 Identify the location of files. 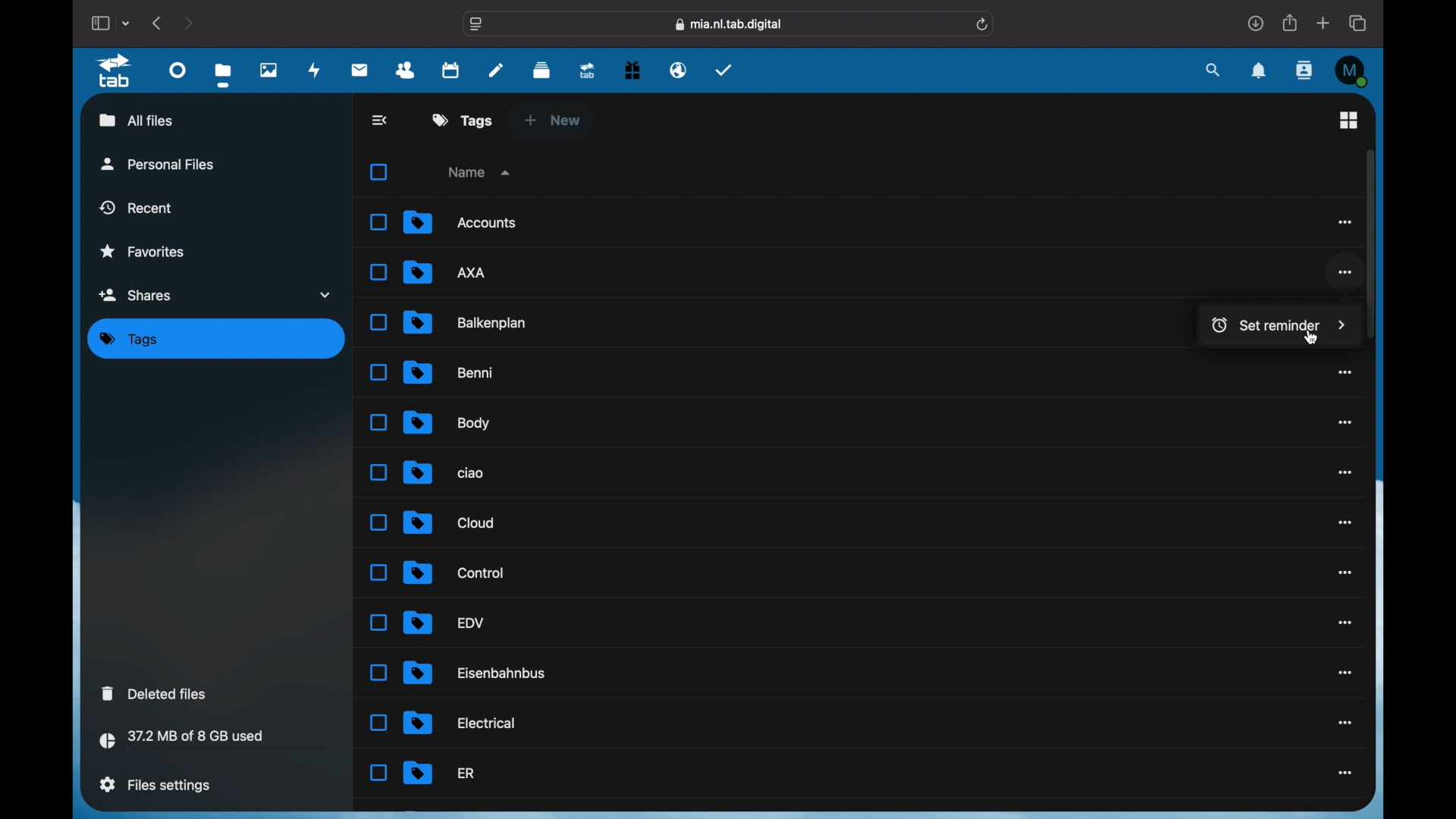
(226, 75).